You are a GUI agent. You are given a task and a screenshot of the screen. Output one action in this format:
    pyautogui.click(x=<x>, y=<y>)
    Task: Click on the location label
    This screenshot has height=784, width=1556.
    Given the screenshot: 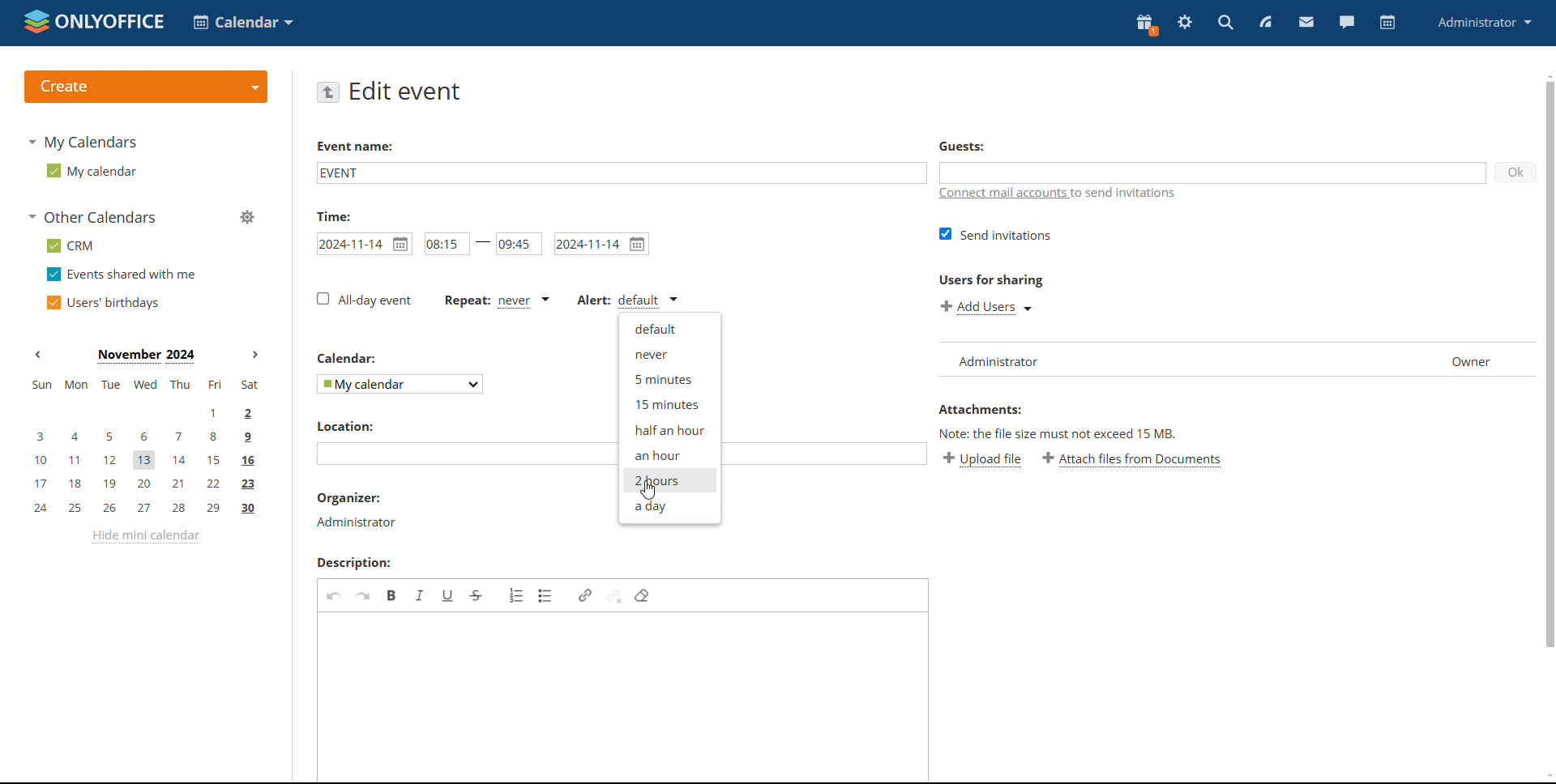 What is the action you would take?
    pyautogui.click(x=348, y=428)
    